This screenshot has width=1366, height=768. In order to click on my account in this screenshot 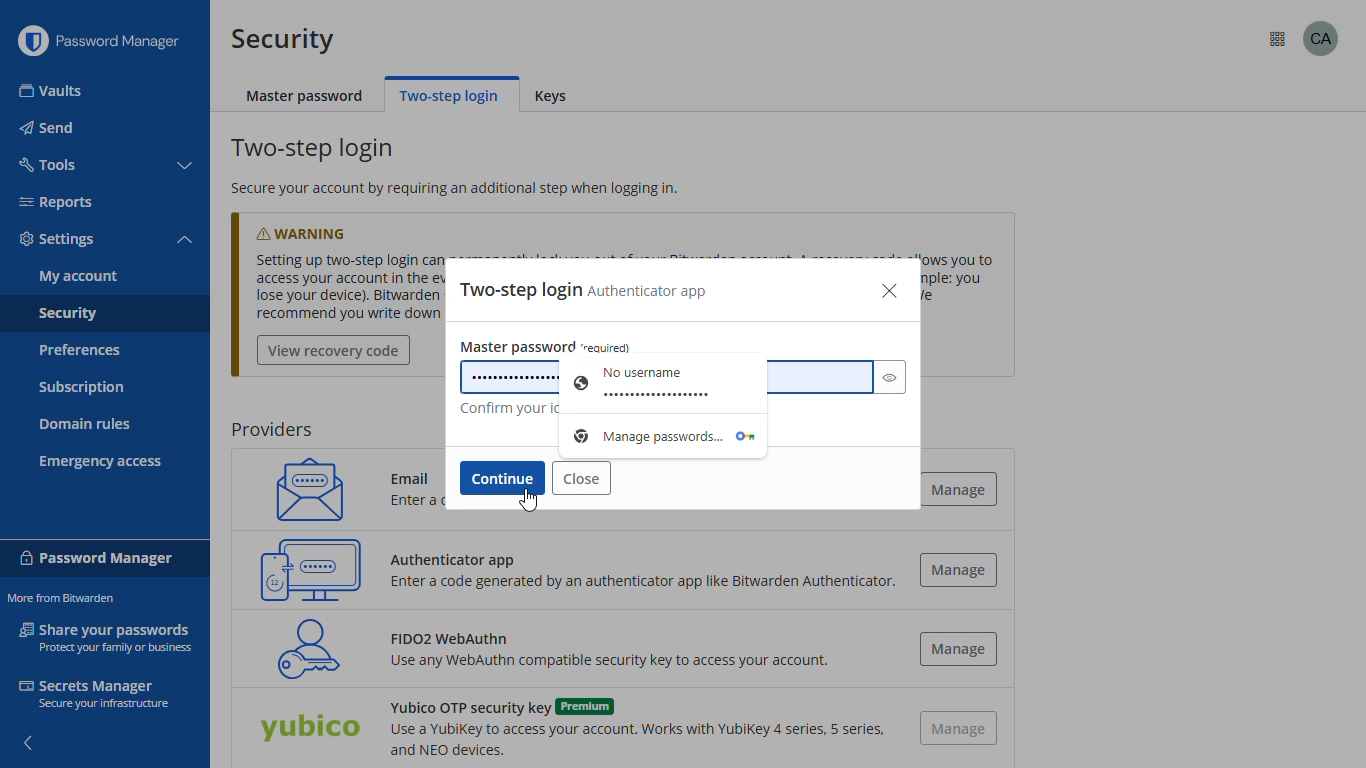, I will do `click(79, 276)`.